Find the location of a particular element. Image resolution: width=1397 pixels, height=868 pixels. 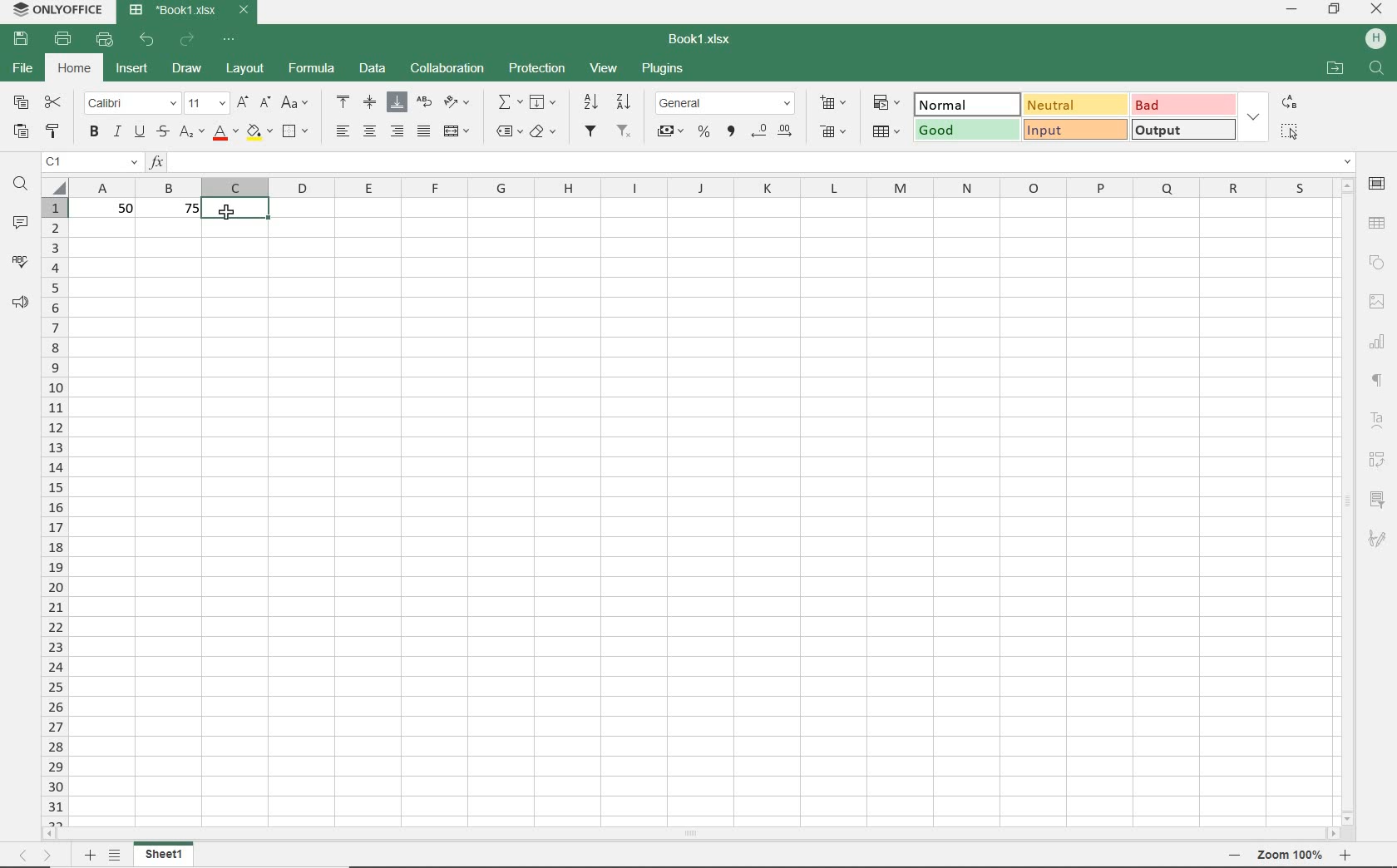

increment font size is located at coordinates (243, 101).